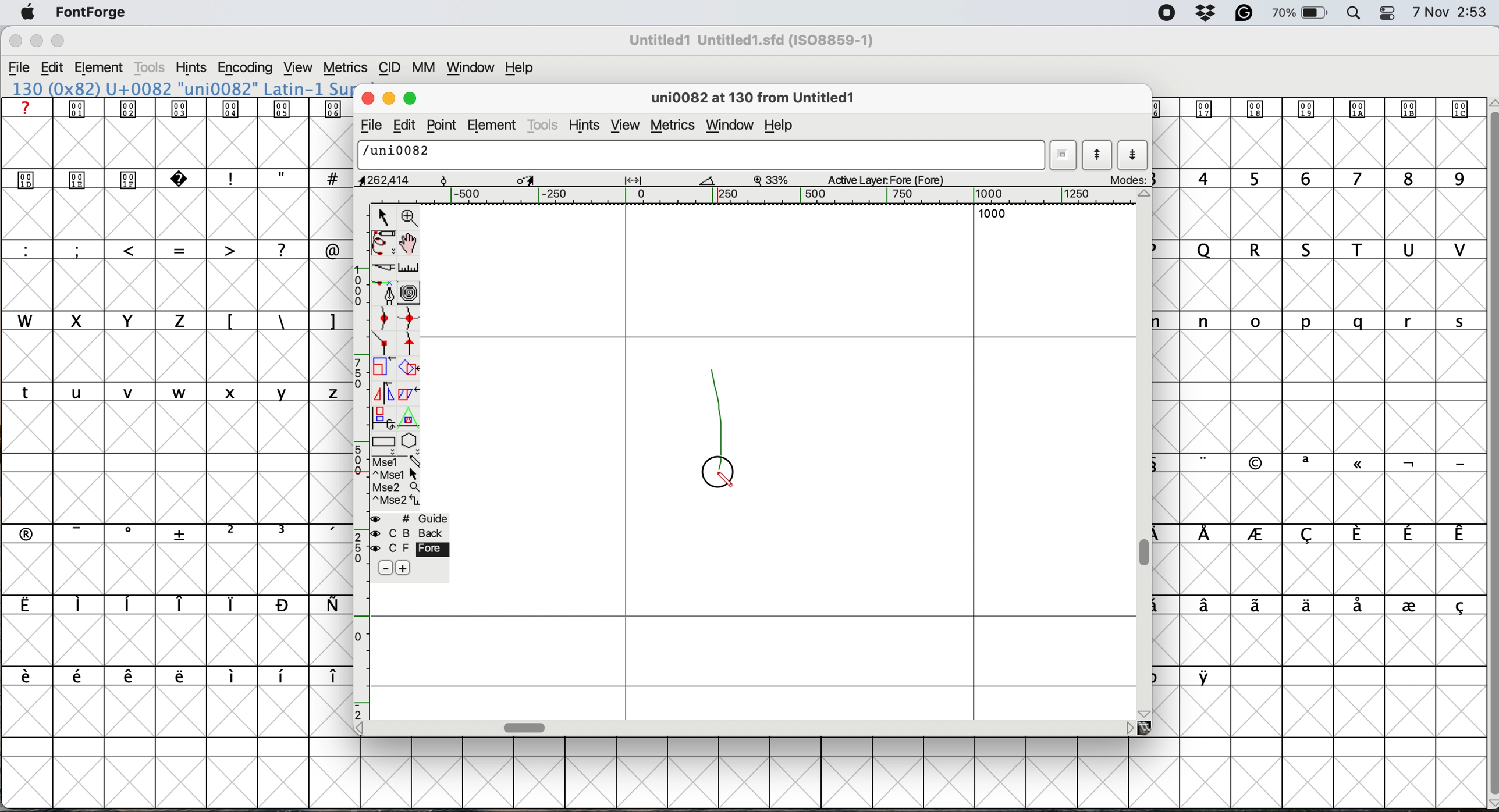 This screenshot has height=812, width=1499. I want to click on font name, so click(756, 40).